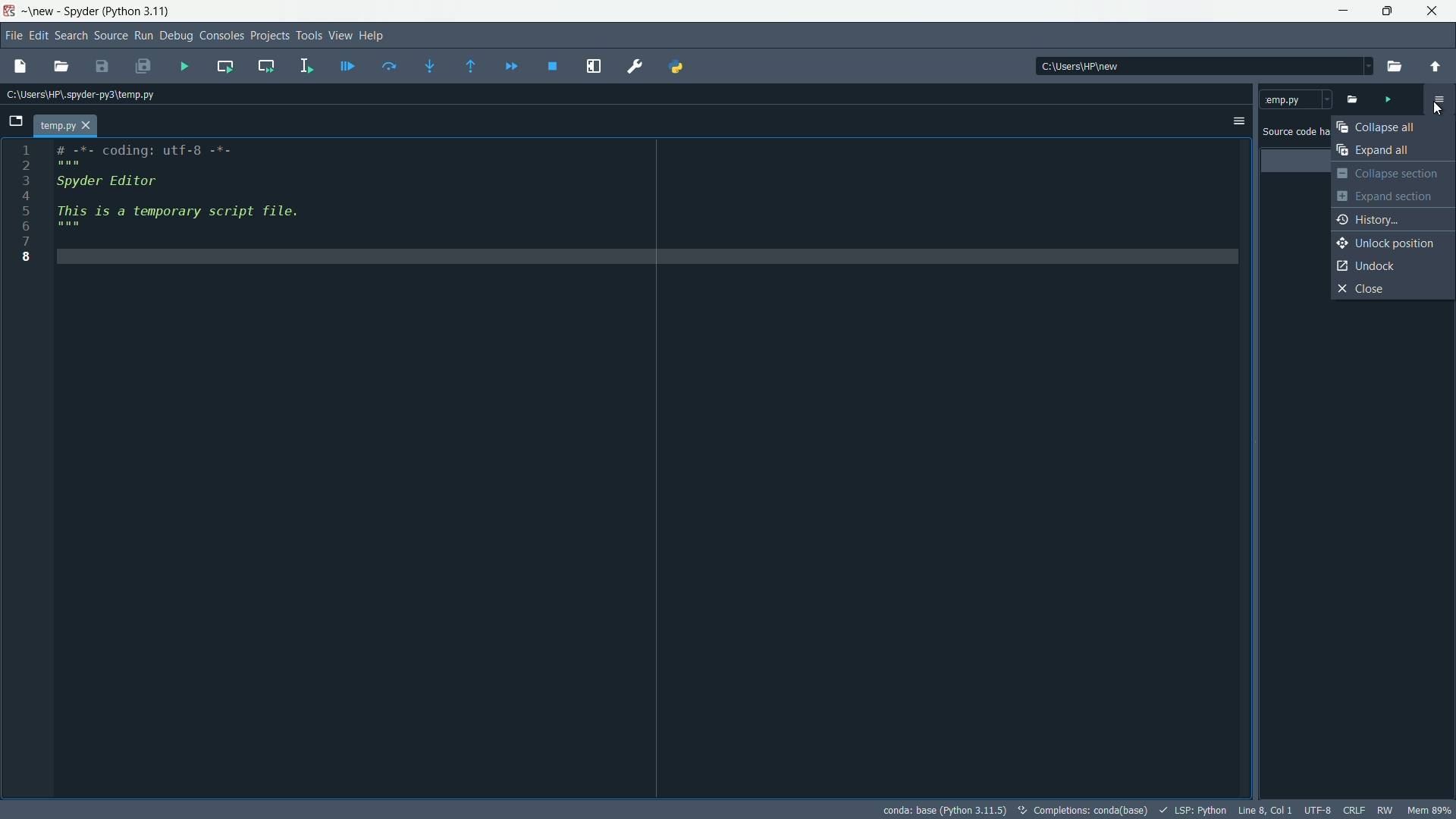 Image resolution: width=1456 pixels, height=819 pixels. What do you see at coordinates (1393, 289) in the screenshot?
I see `close` at bounding box center [1393, 289].